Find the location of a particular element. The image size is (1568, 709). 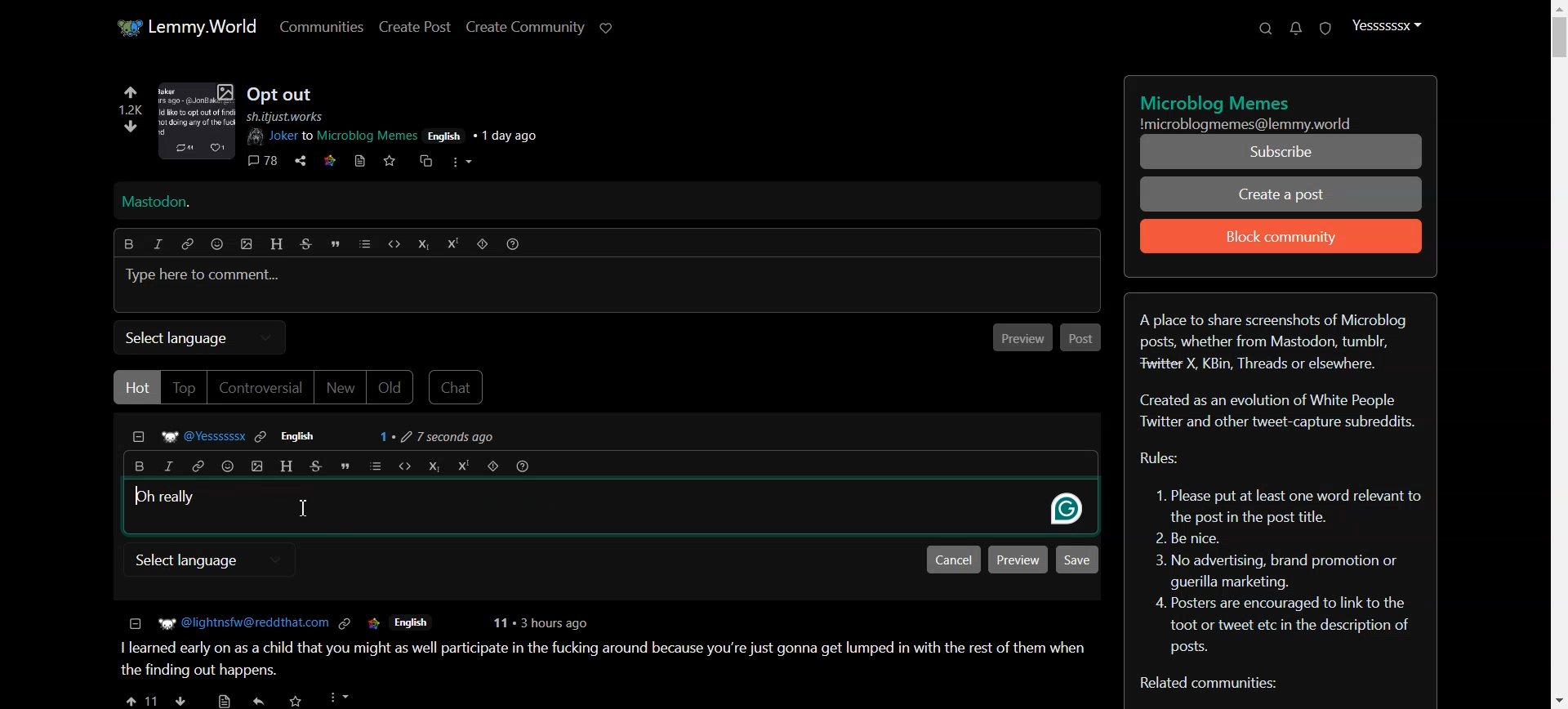

Quote is located at coordinates (343, 466).